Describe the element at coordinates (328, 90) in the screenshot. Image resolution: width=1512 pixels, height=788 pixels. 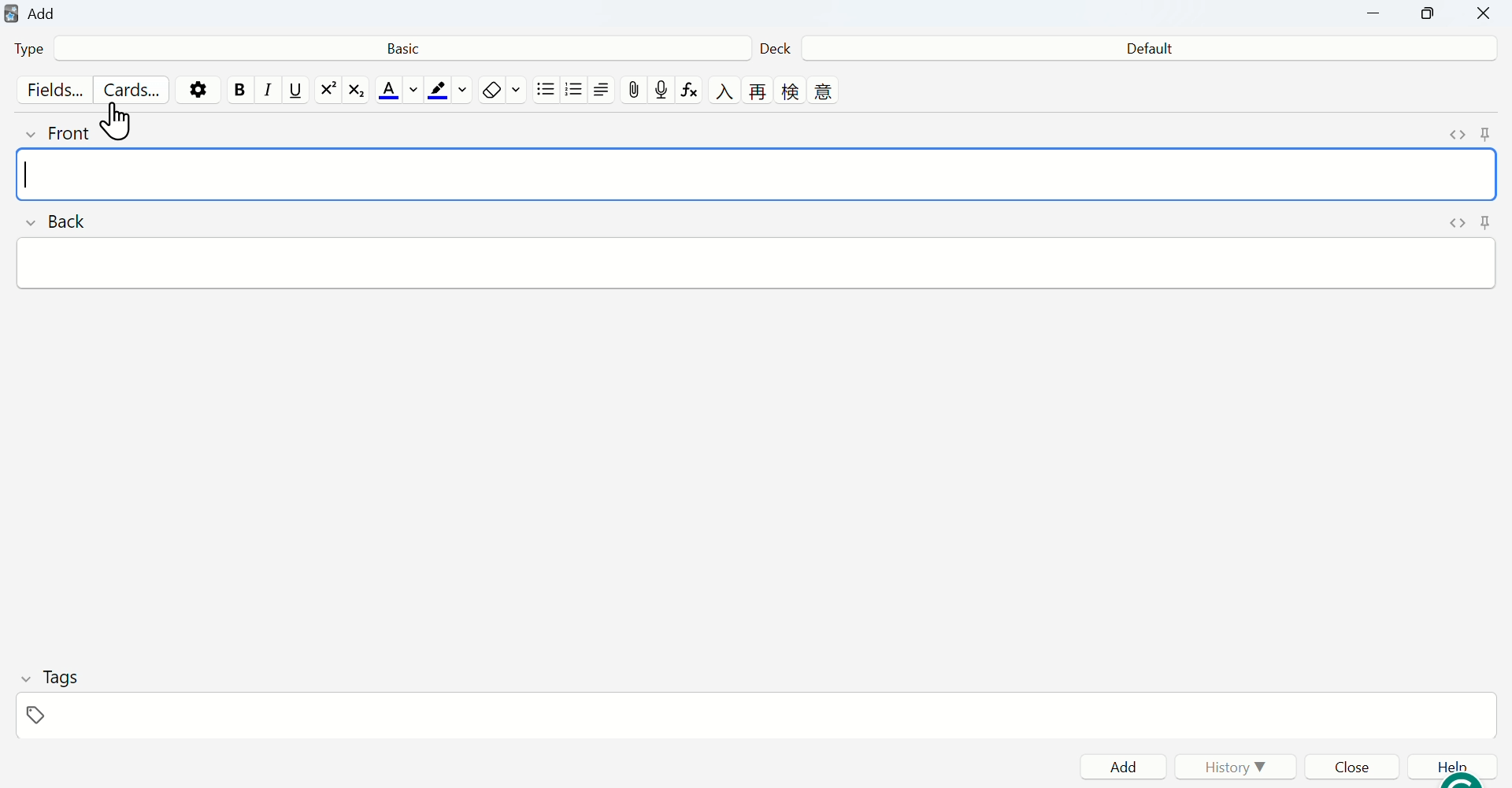
I see `superscript` at that location.